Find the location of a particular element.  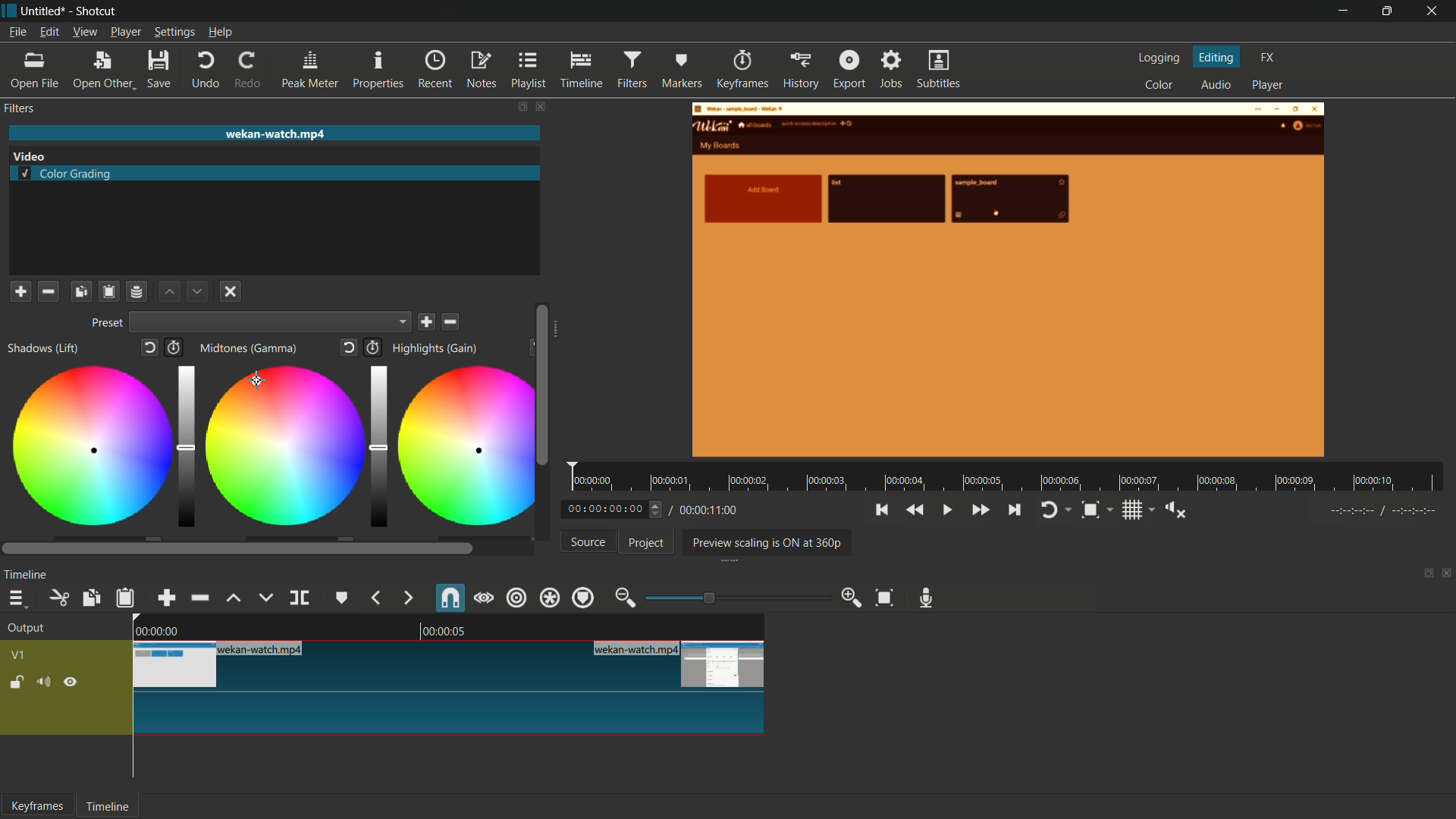

markers is located at coordinates (682, 69).